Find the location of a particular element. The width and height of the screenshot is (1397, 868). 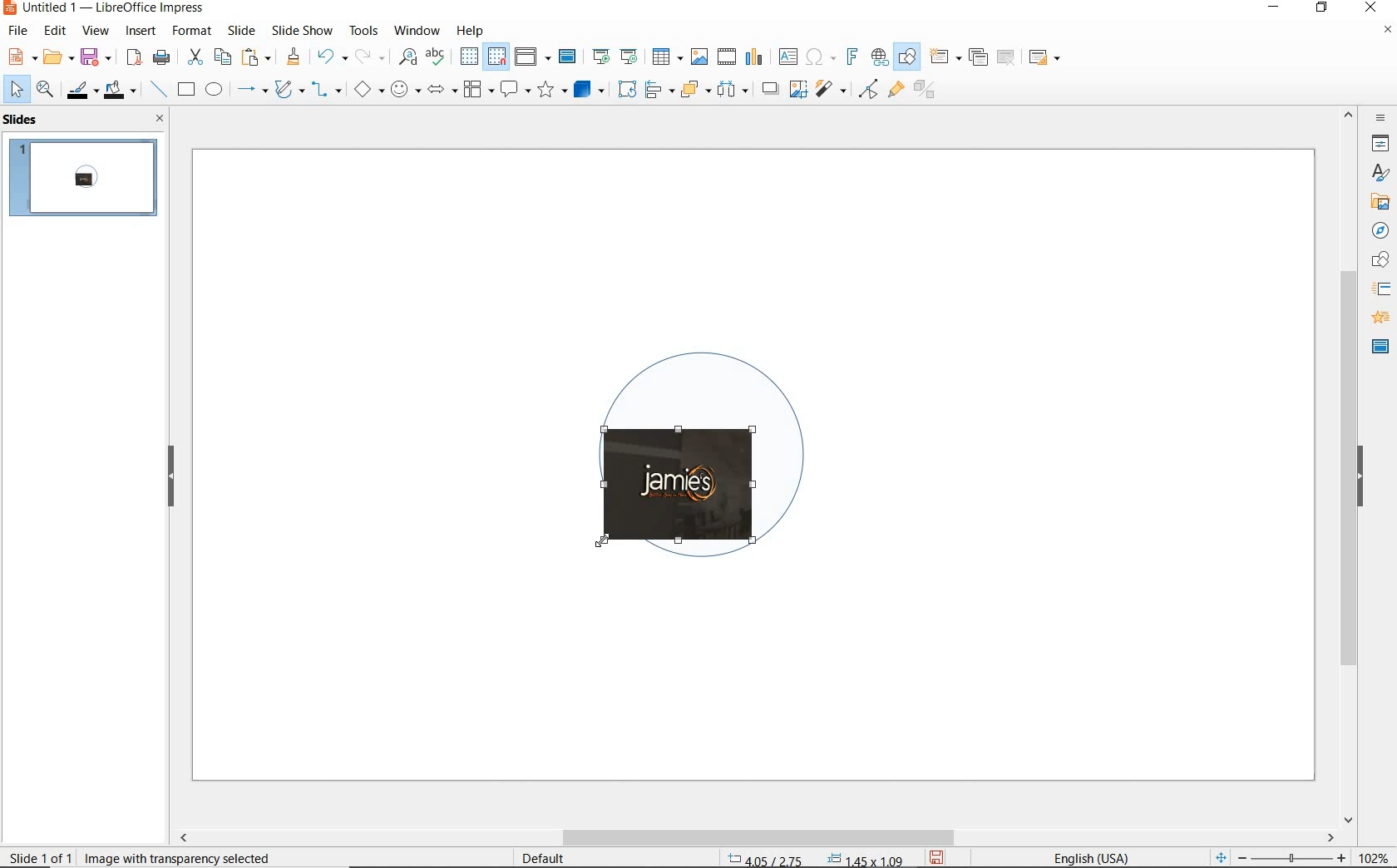

export as PDF is located at coordinates (134, 58).